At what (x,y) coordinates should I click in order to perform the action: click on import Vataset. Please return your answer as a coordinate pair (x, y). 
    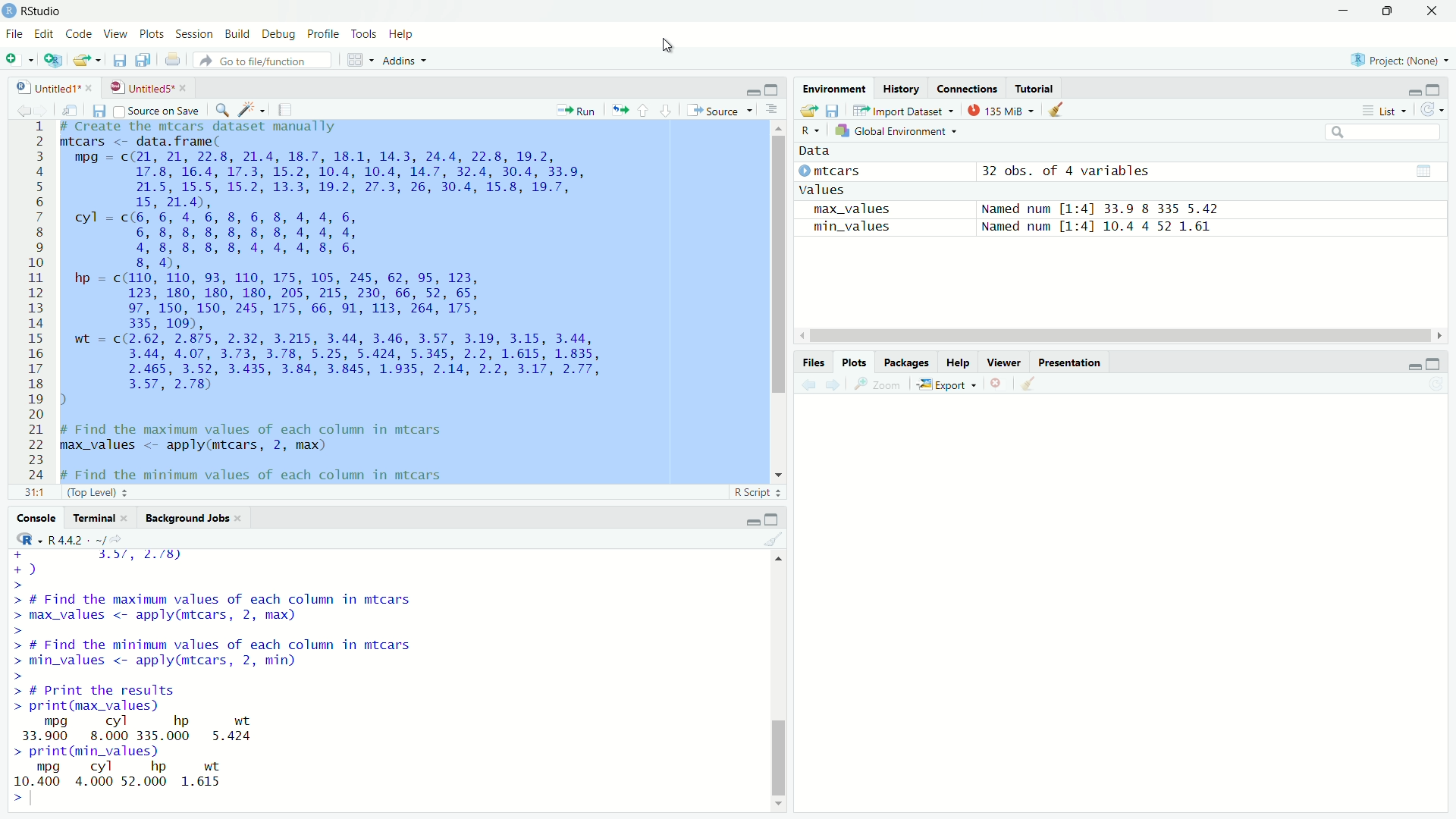
    Looking at the image, I should click on (904, 110).